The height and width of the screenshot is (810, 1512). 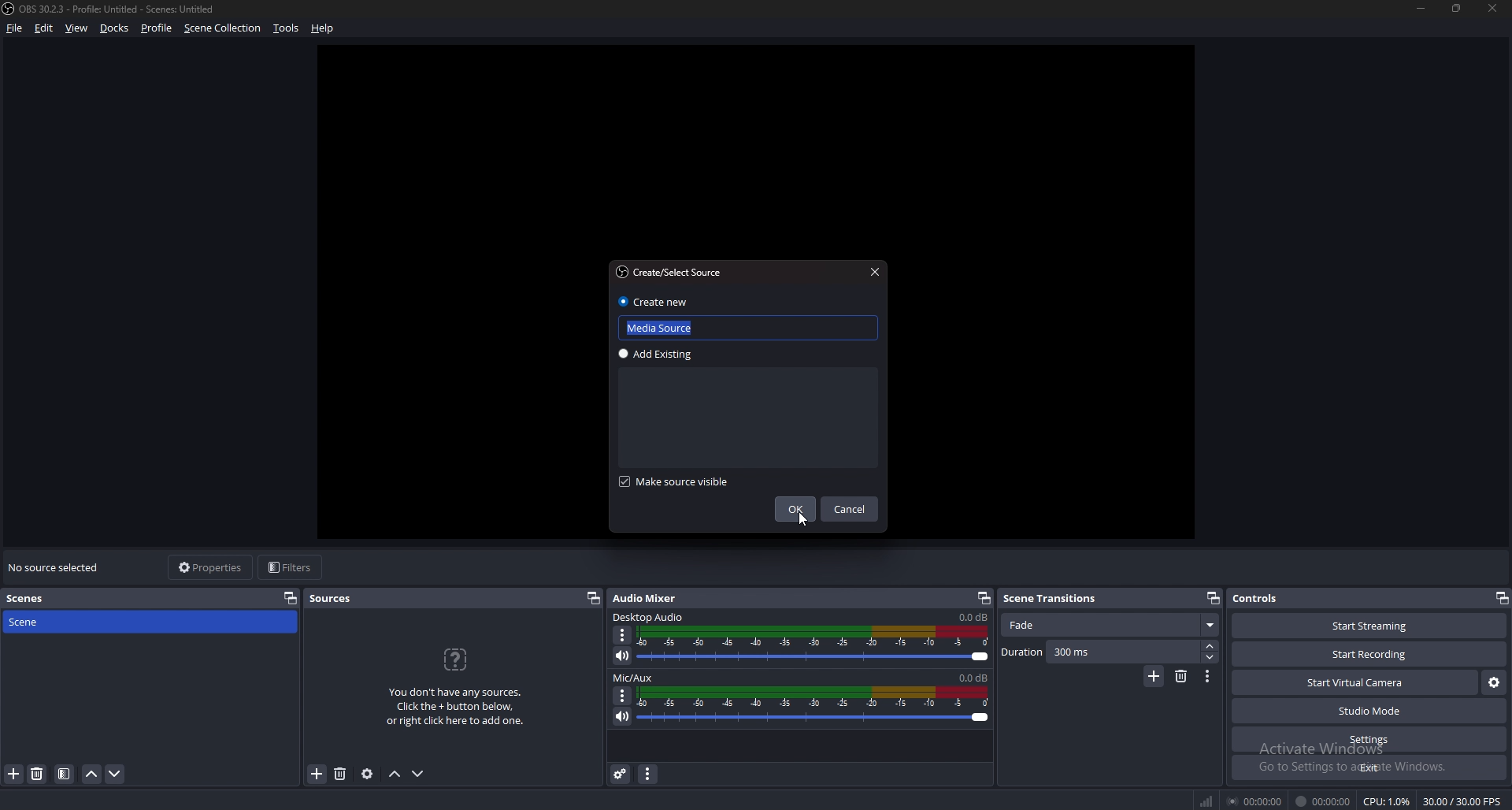 I want to click on Duration, so click(x=1101, y=652).